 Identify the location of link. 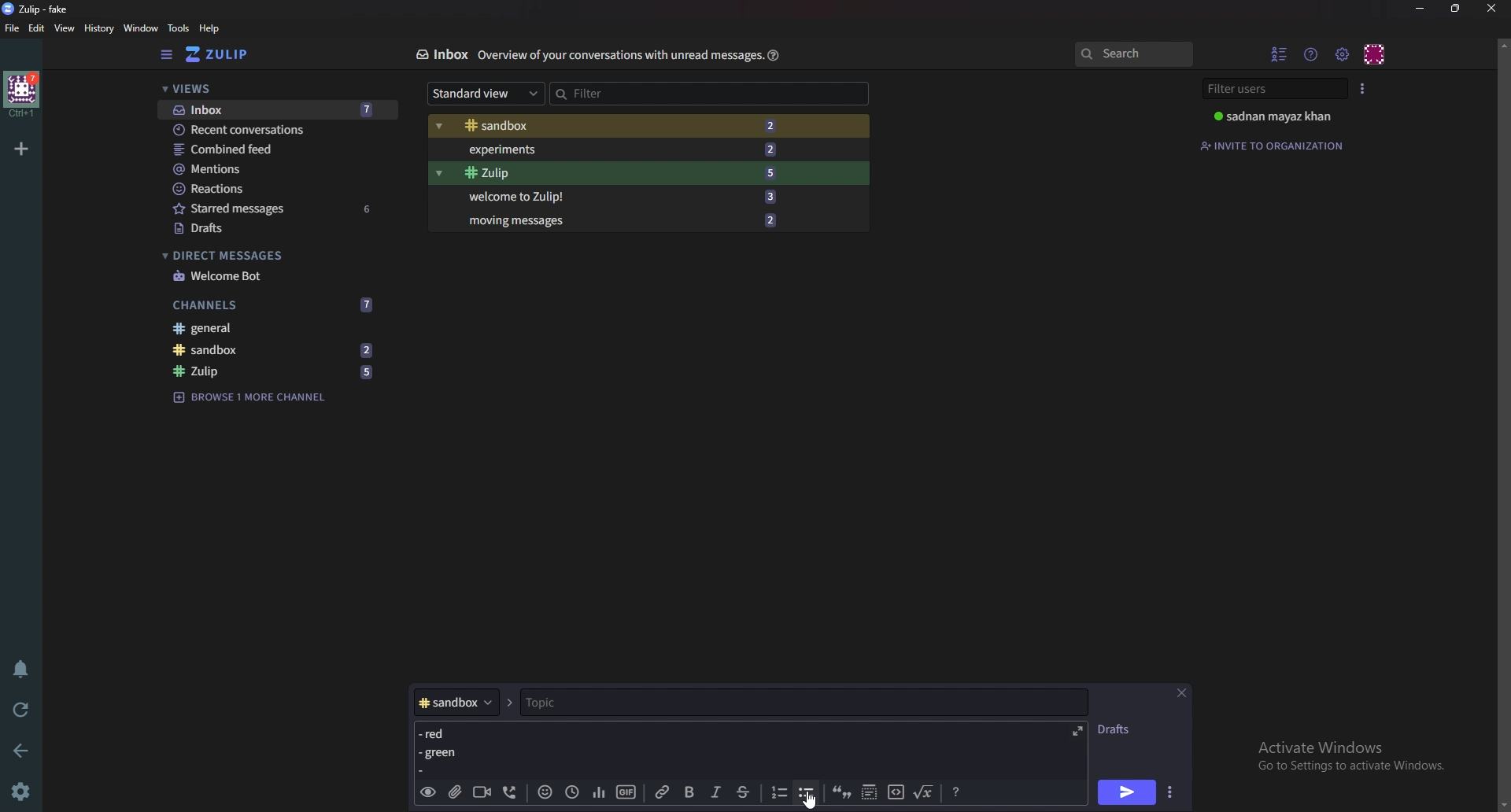
(665, 792).